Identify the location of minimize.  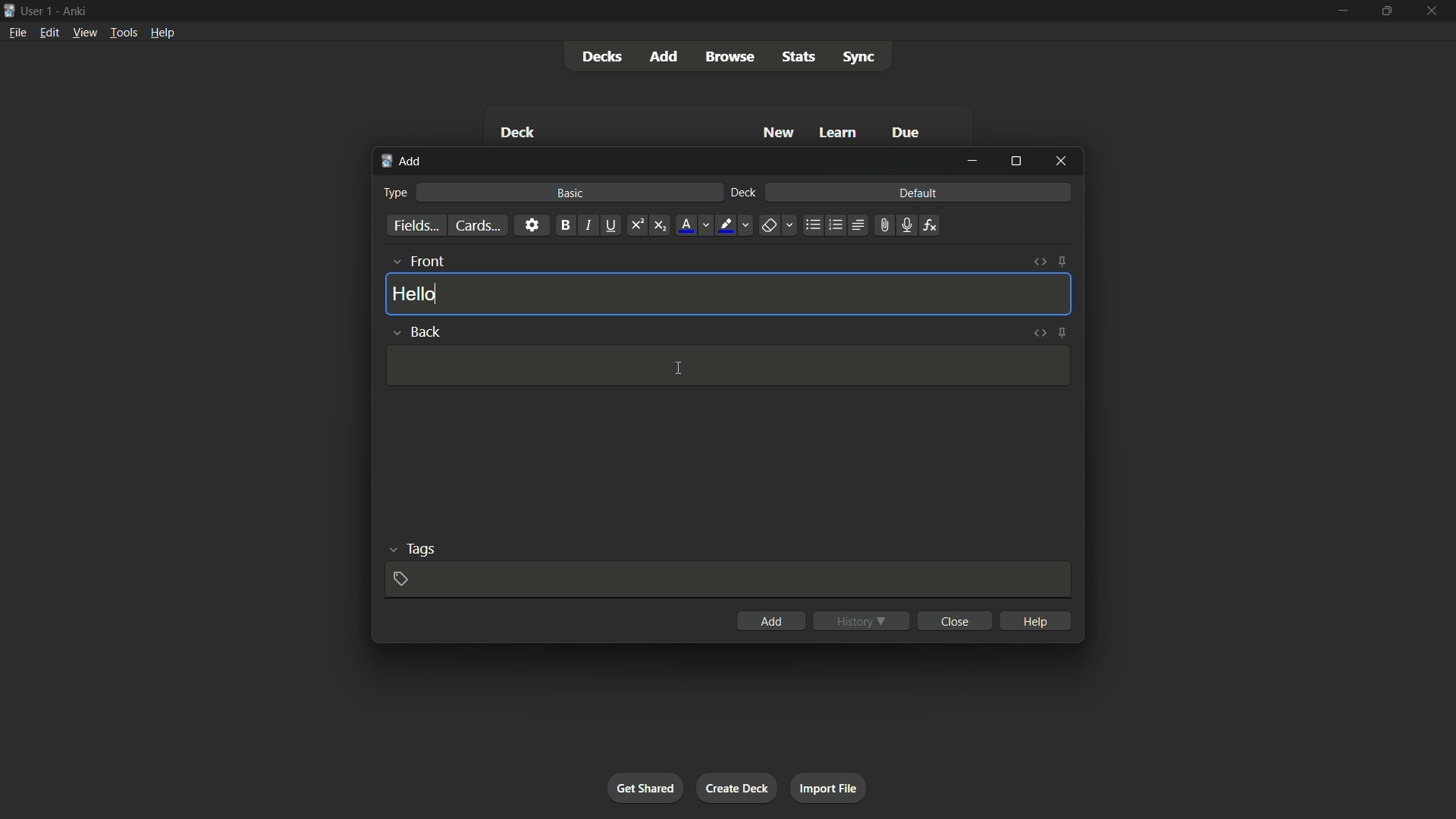
(1341, 11).